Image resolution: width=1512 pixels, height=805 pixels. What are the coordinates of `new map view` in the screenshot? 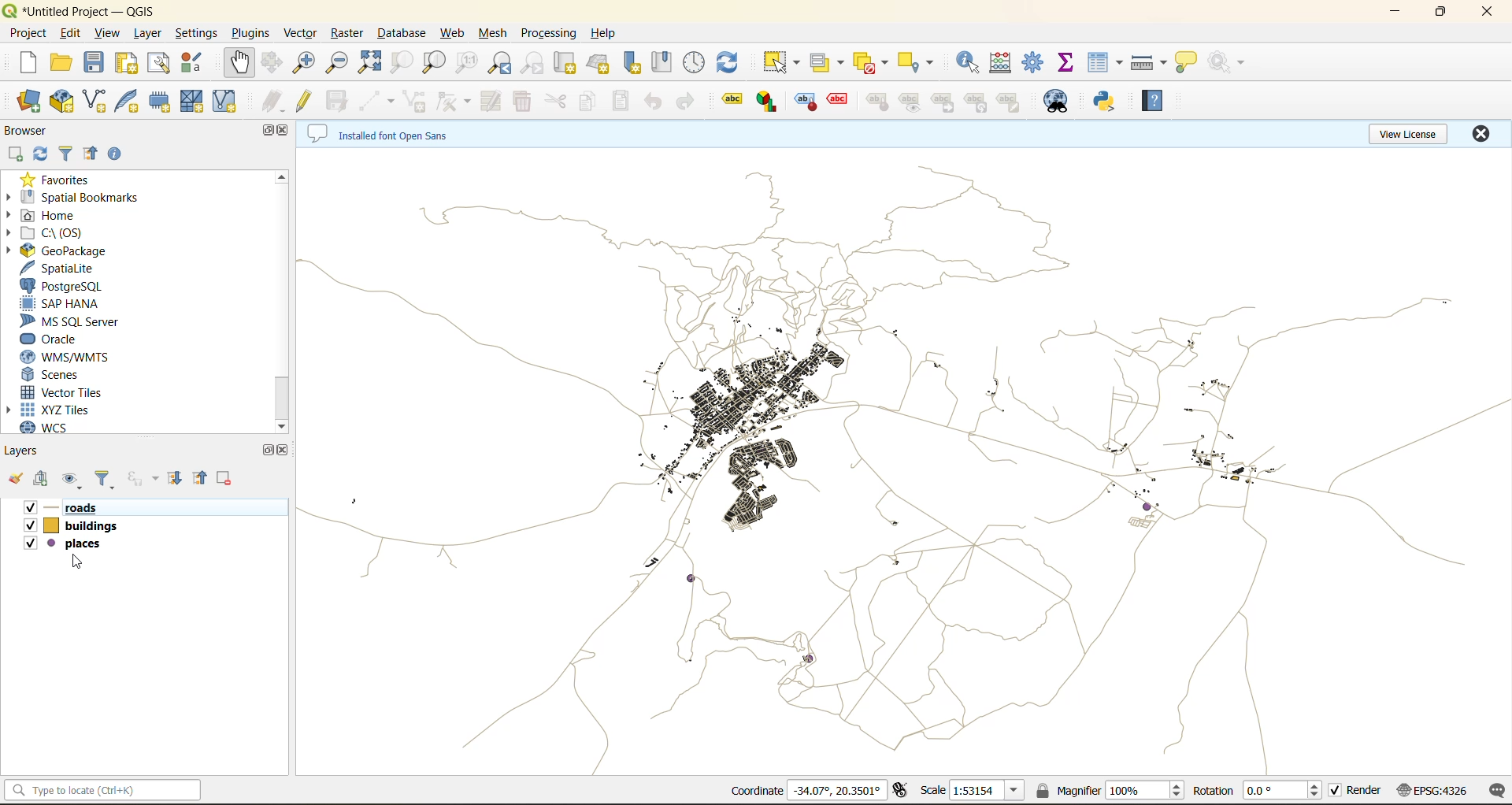 It's located at (566, 63).